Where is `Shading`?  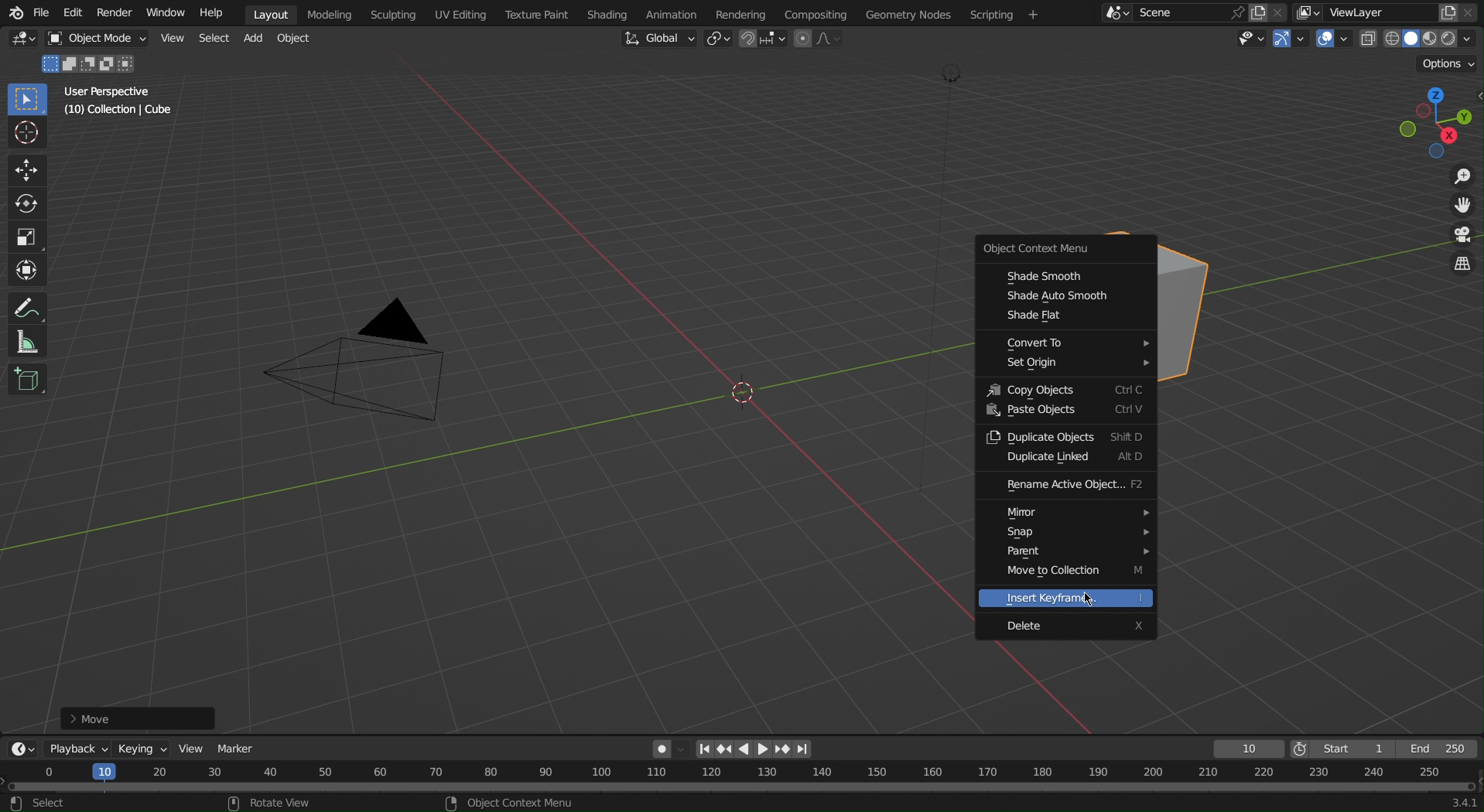 Shading is located at coordinates (615, 12).